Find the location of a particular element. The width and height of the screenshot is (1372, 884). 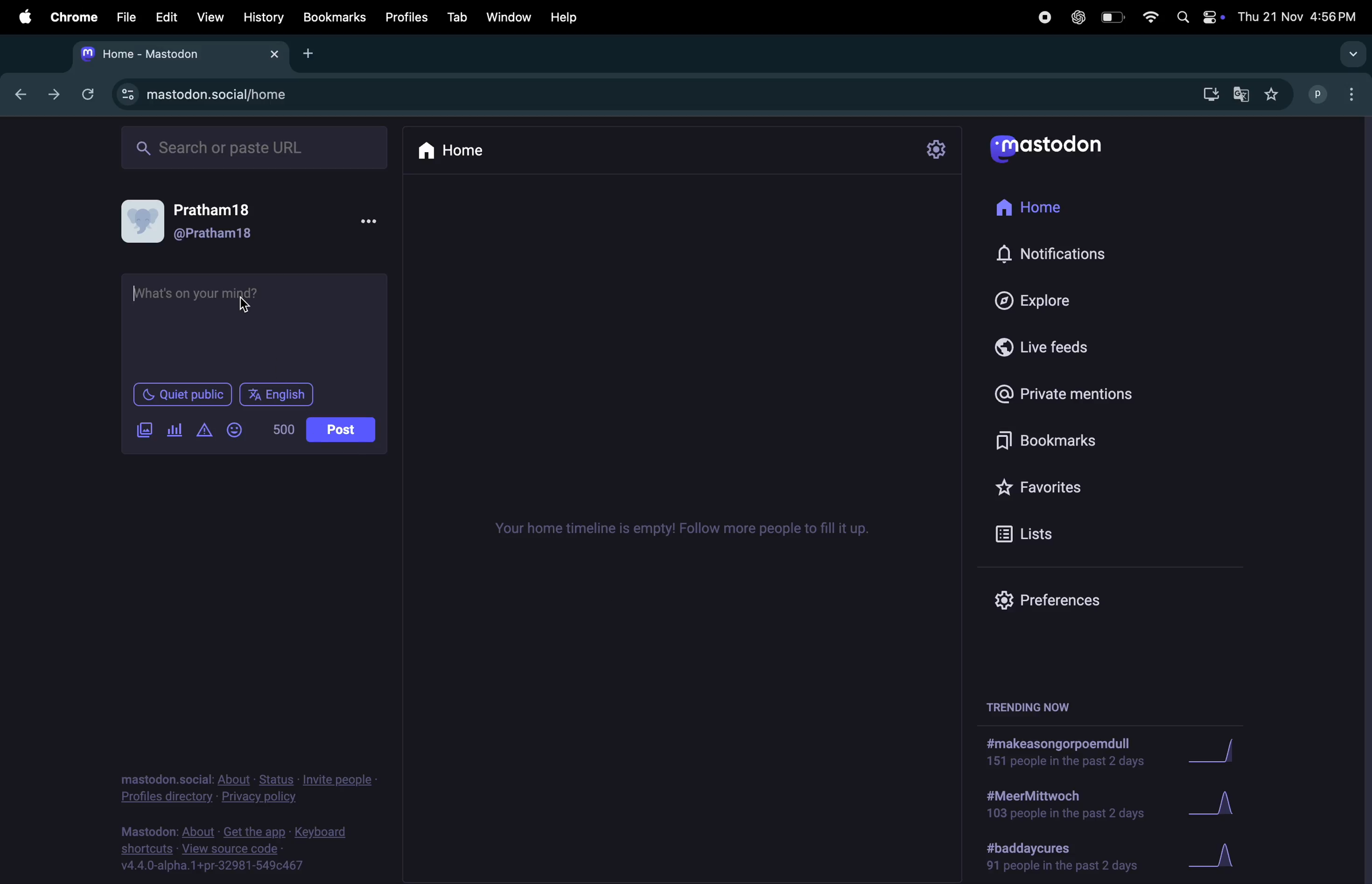

battery is located at coordinates (1111, 19).